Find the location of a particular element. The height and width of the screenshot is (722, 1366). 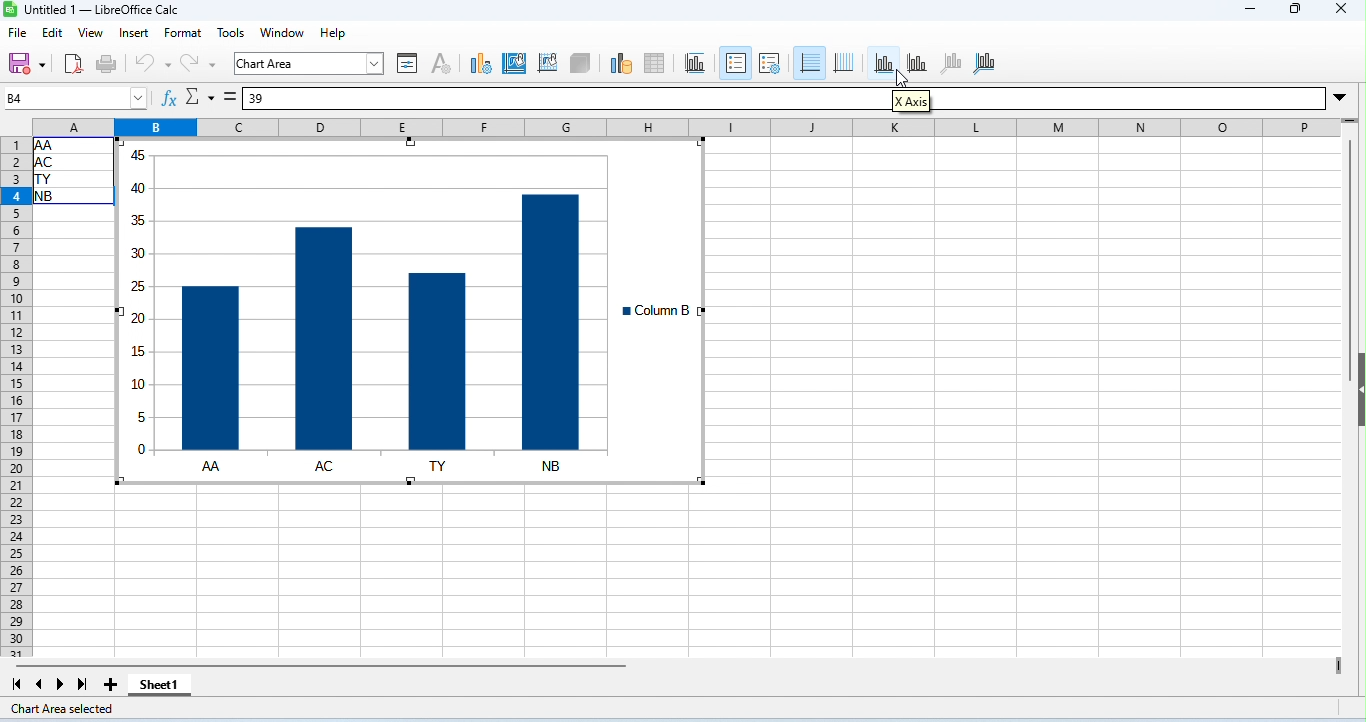

cursor movement is located at coordinates (901, 80).